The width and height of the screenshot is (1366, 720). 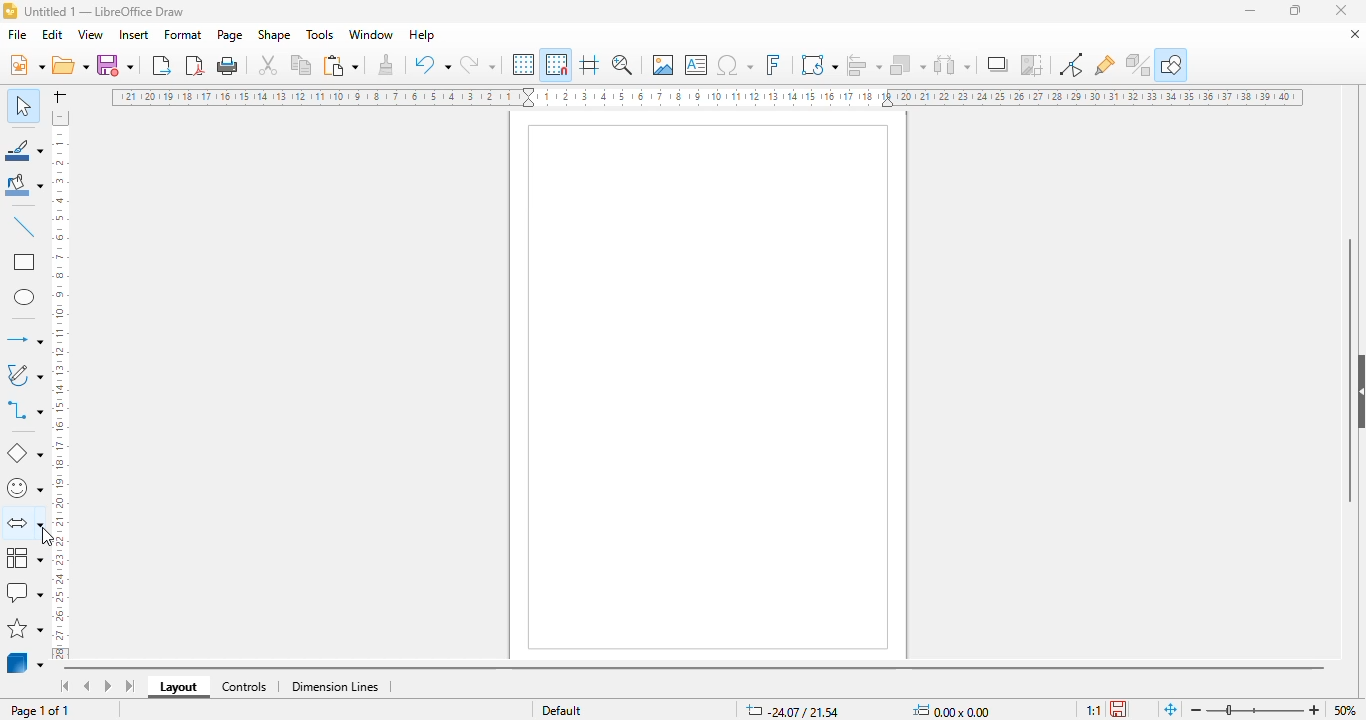 What do you see at coordinates (1357, 392) in the screenshot?
I see `show` at bounding box center [1357, 392].